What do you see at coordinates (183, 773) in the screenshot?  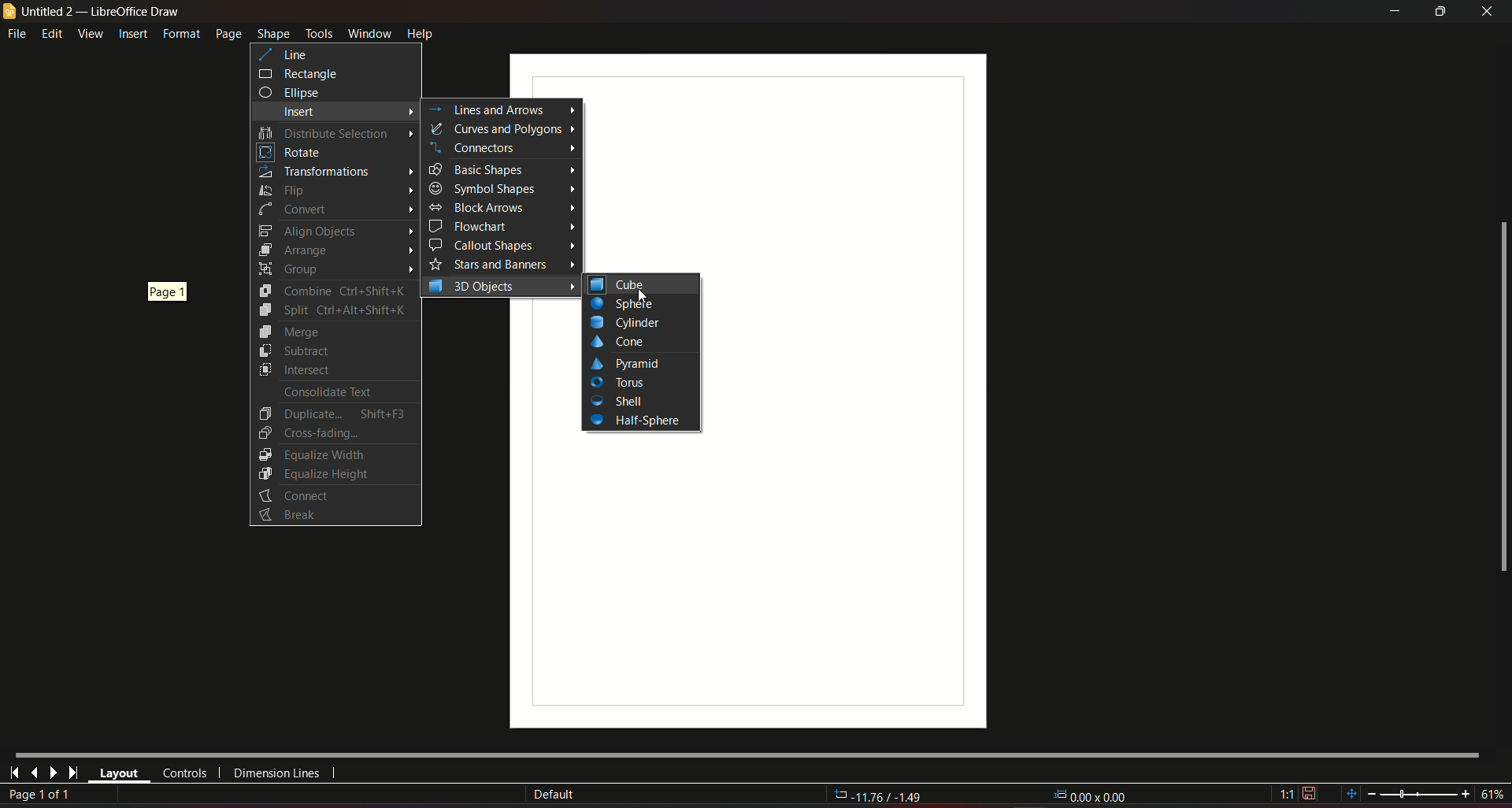 I see `controls` at bounding box center [183, 773].